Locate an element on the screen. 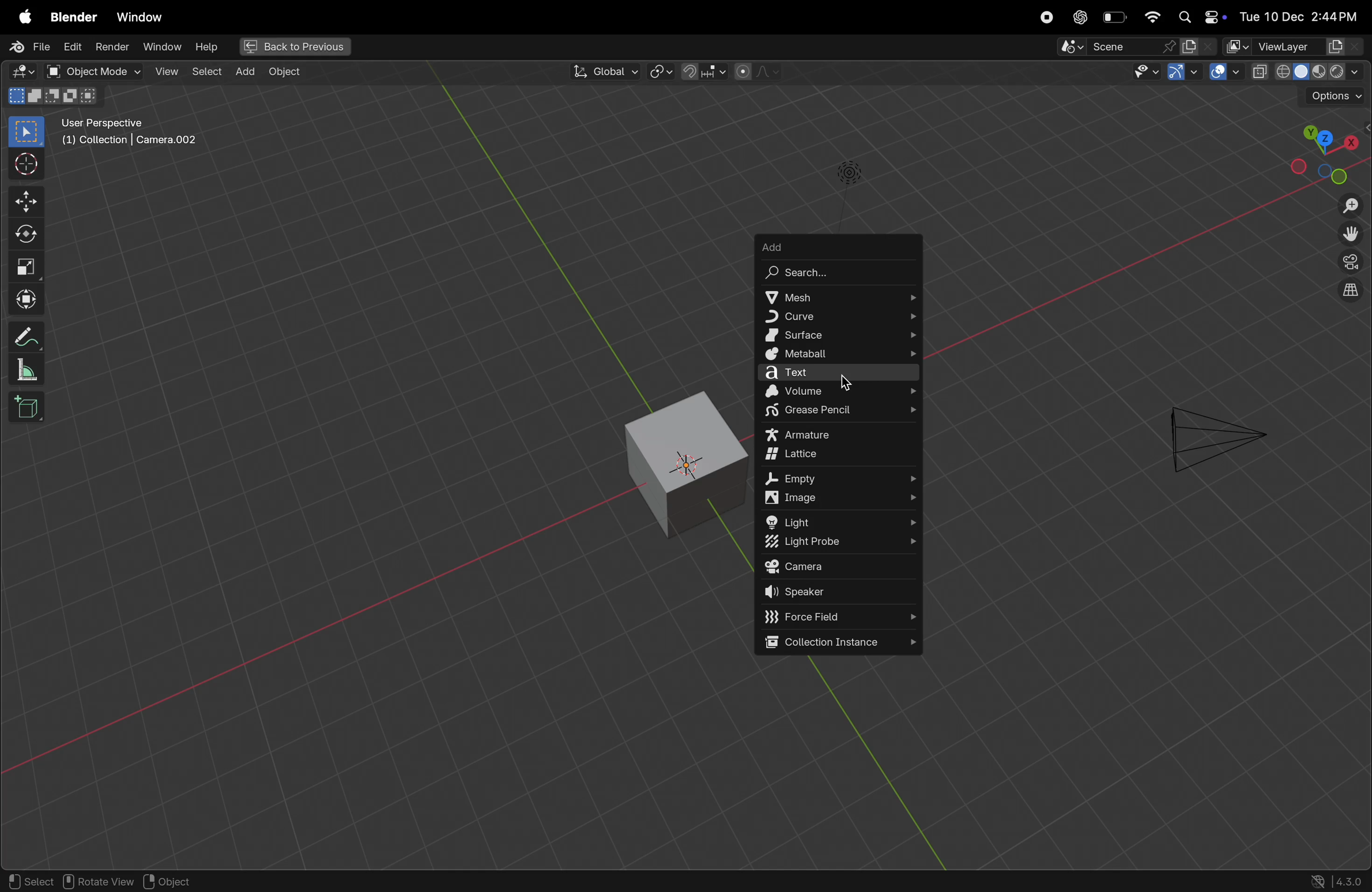 This screenshot has width=1372, height=892. collection instance is located at coordinates (840, 641).